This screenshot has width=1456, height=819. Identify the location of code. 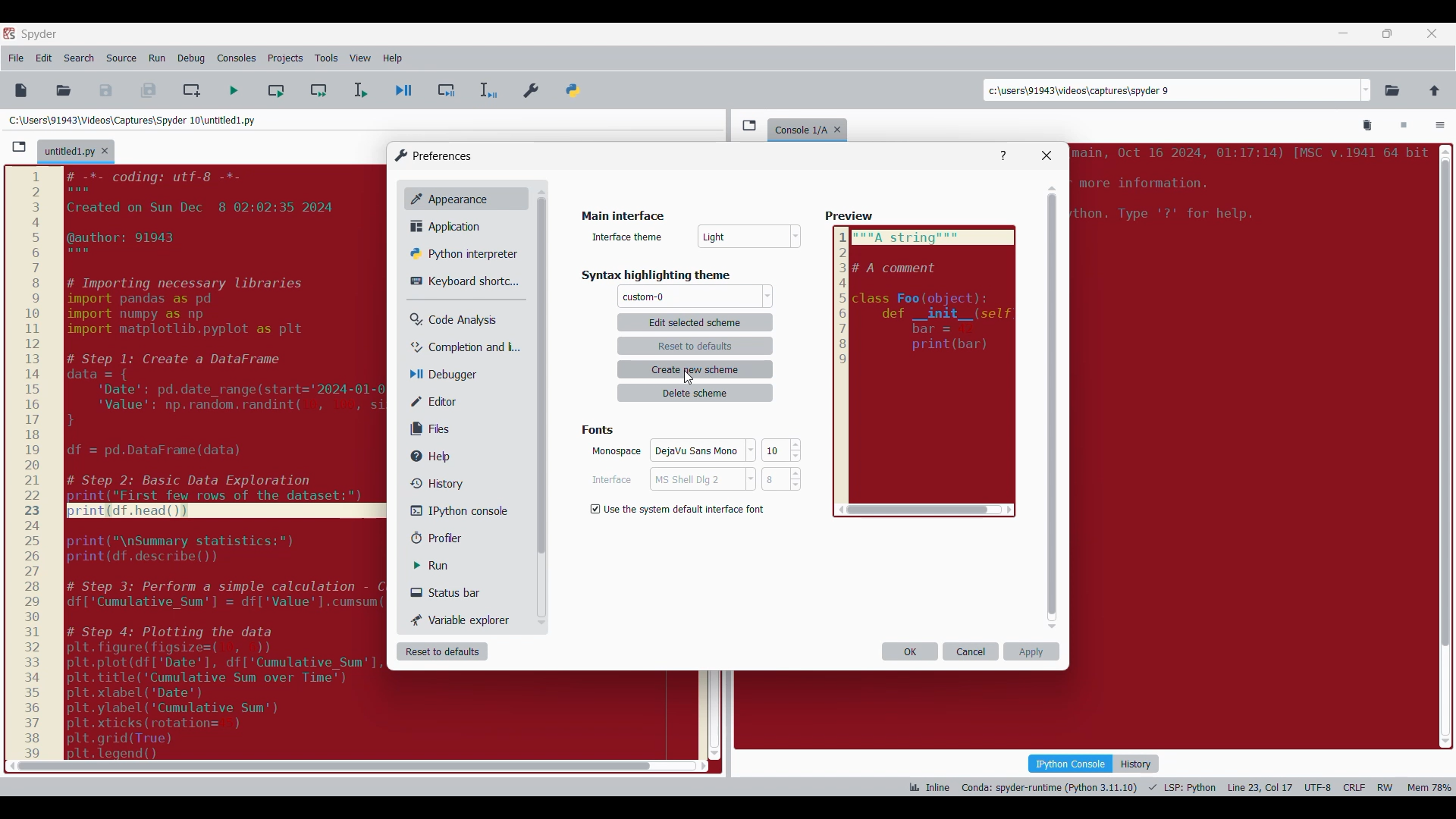
(227, 461).